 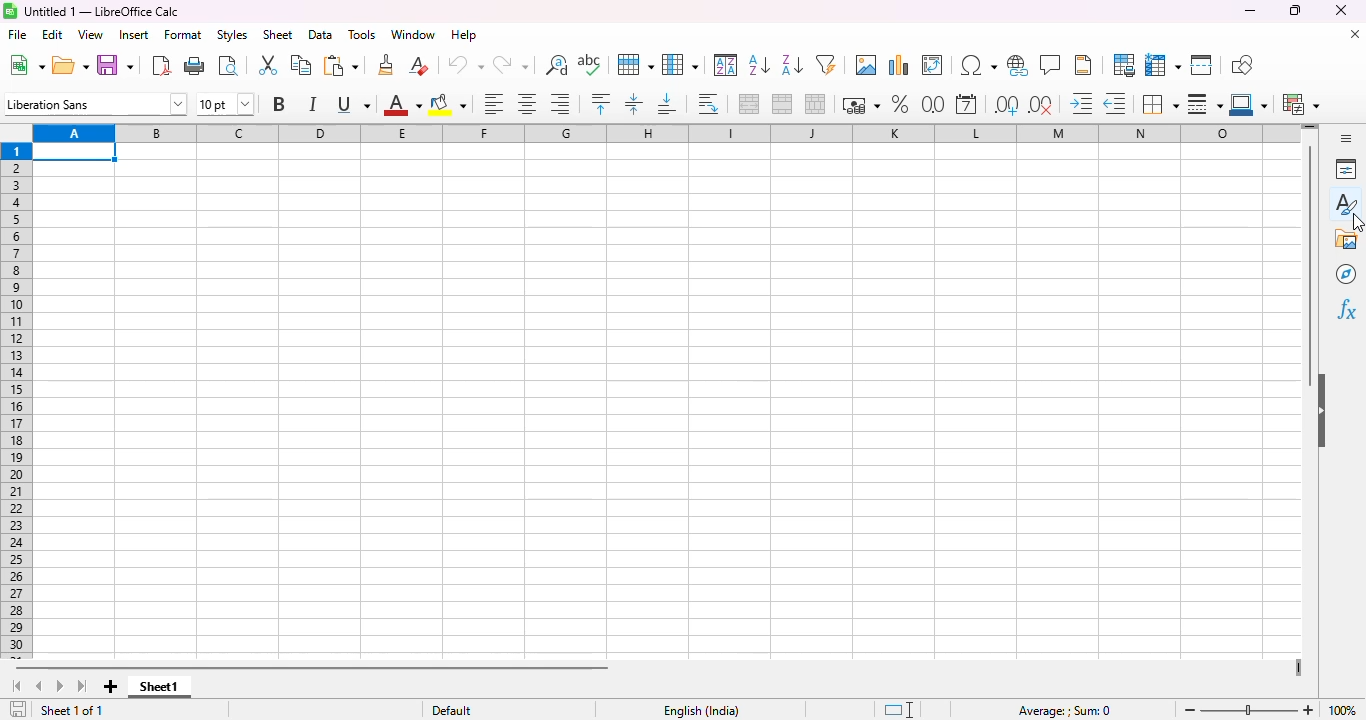 I want to click on bold, so click(x=277, y=104).